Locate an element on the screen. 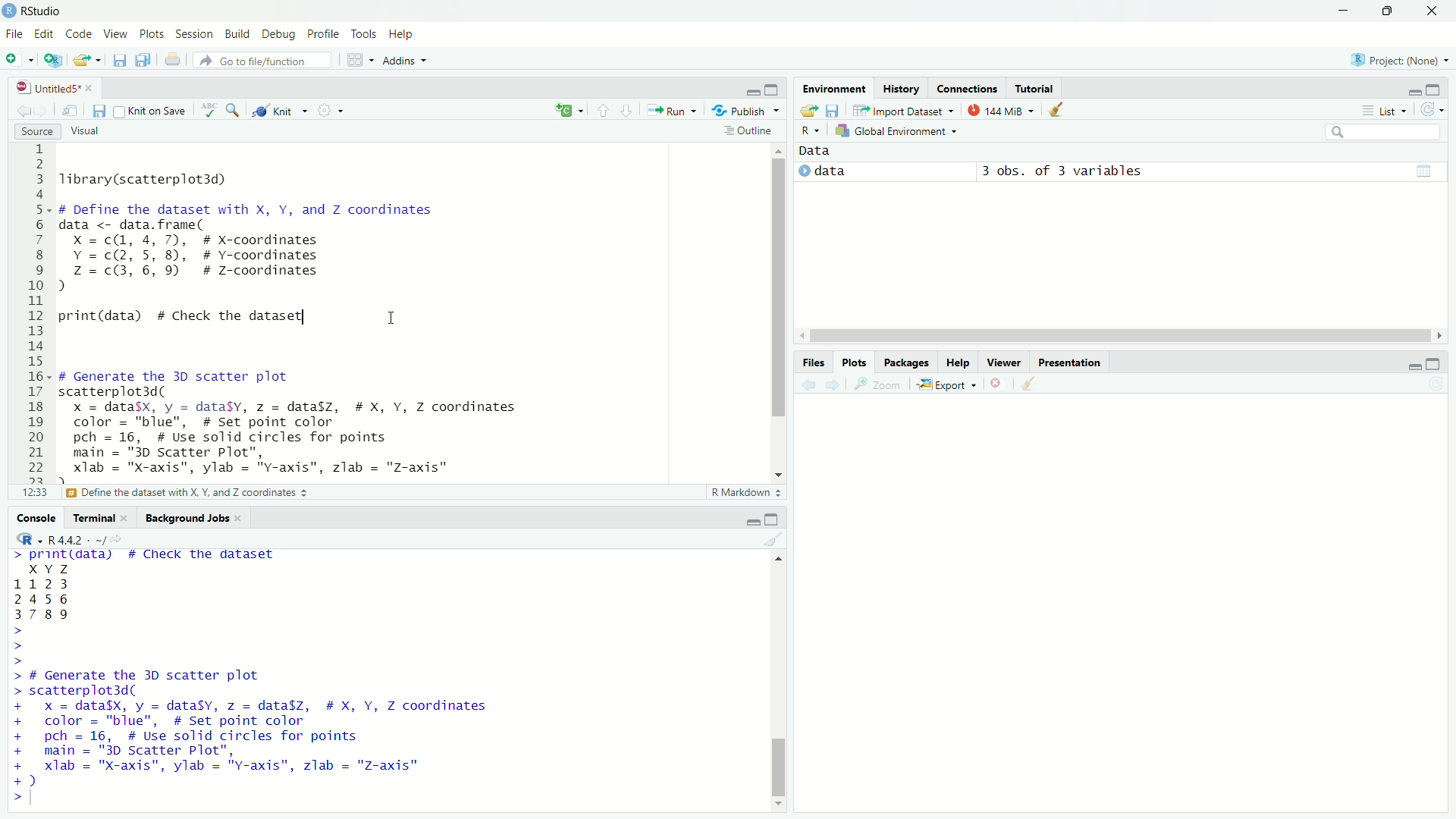 The width and height of the screenshot is (1456, 819). typing cursor is located at coordinates (38, 801).